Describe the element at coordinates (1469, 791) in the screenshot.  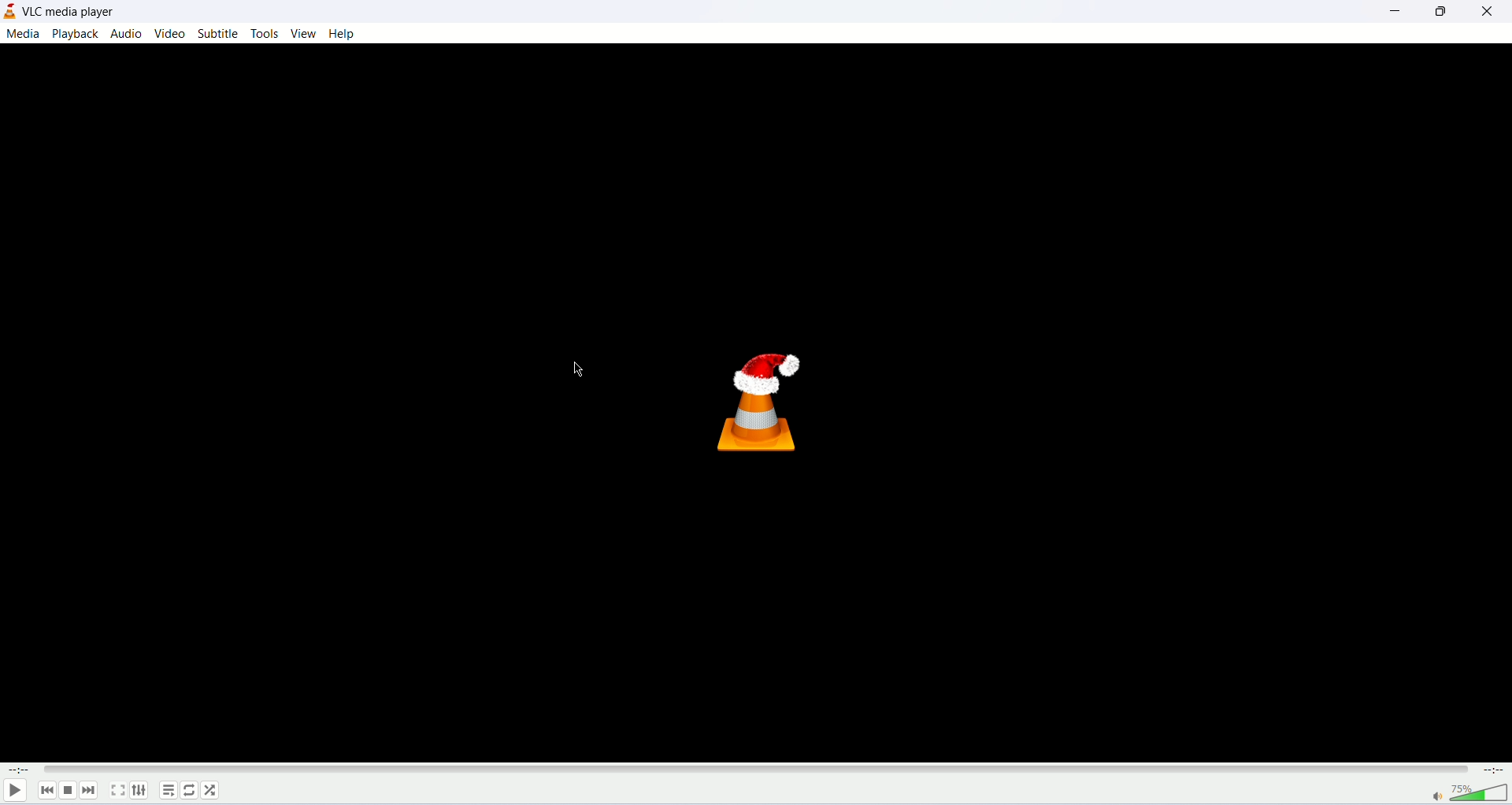
I see `volume bar` at that location.